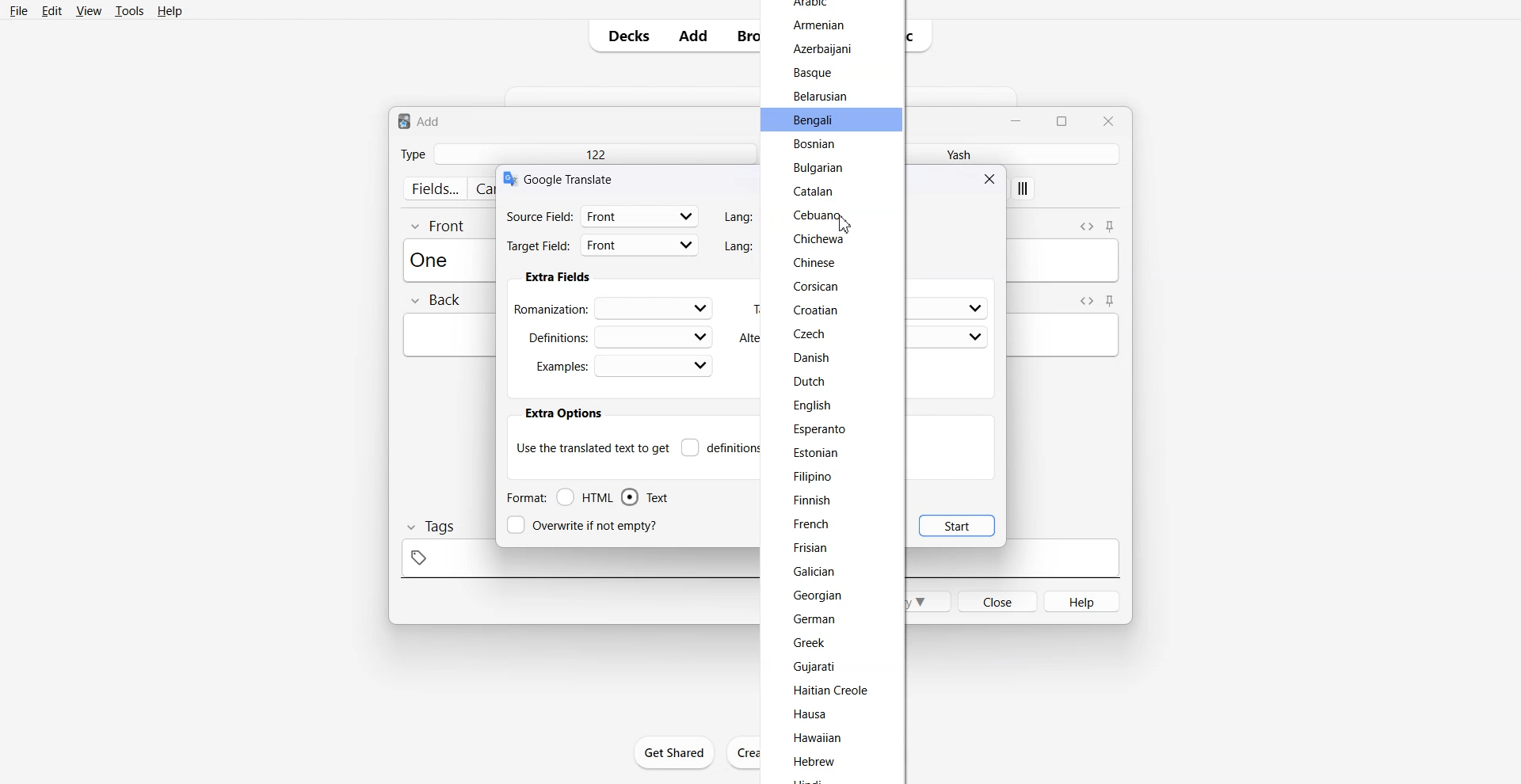  I want to click on Azerbaijani, so click(822, 48).